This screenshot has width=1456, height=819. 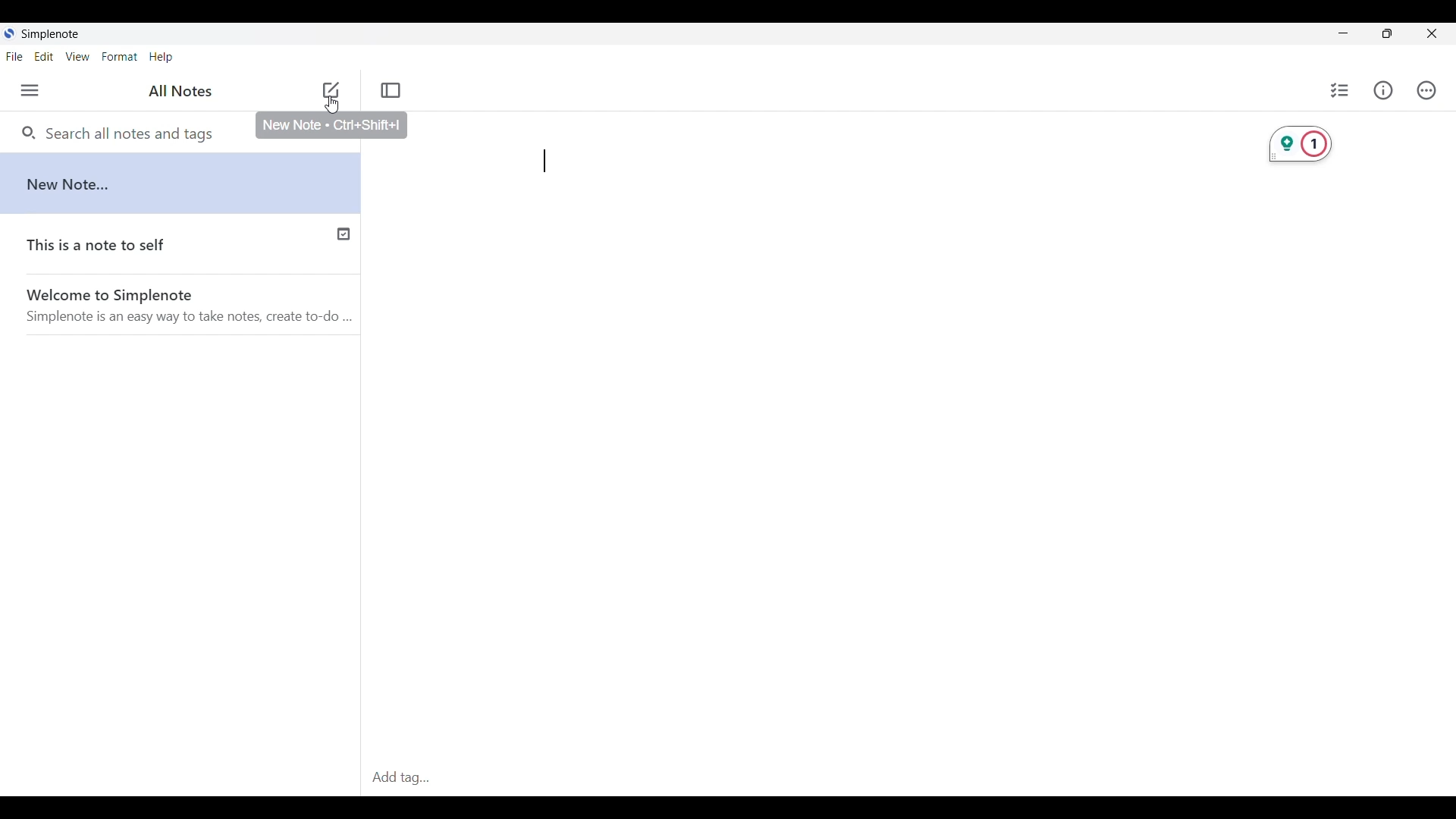 I want to click on Show interface in a smaller tab, so click(x=1388, y=33).